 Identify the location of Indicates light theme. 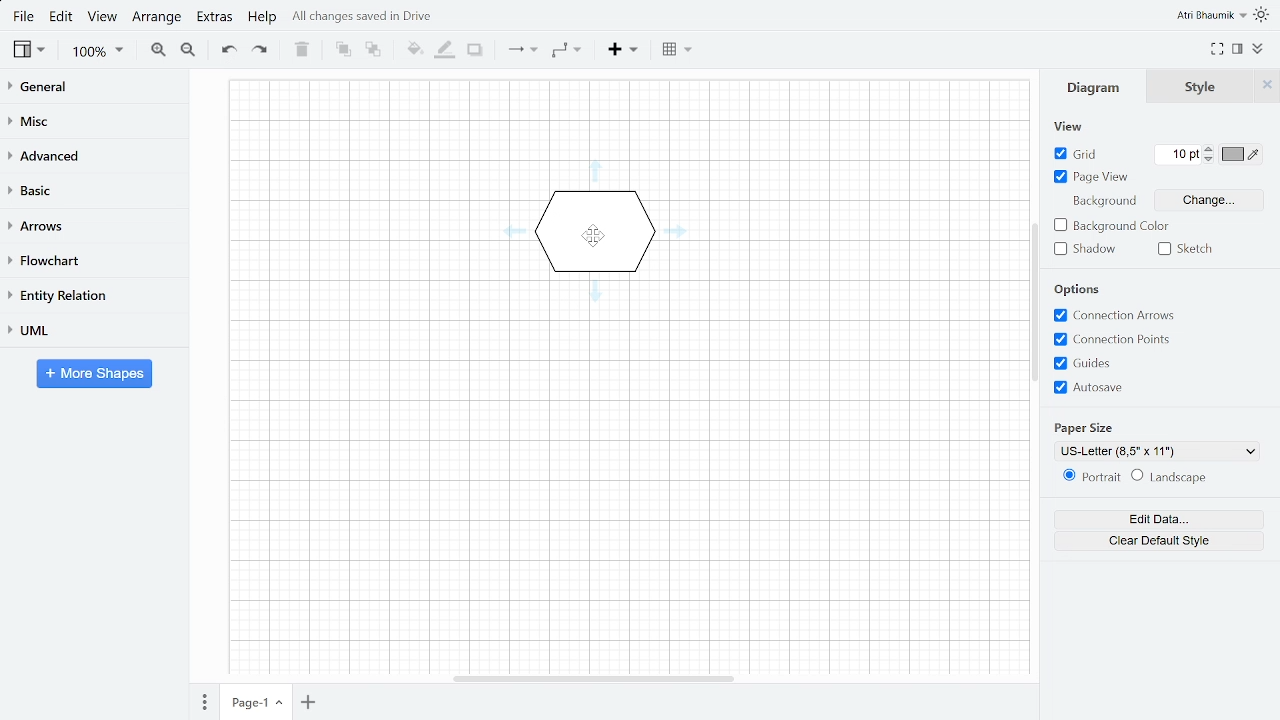
(1264, 16).